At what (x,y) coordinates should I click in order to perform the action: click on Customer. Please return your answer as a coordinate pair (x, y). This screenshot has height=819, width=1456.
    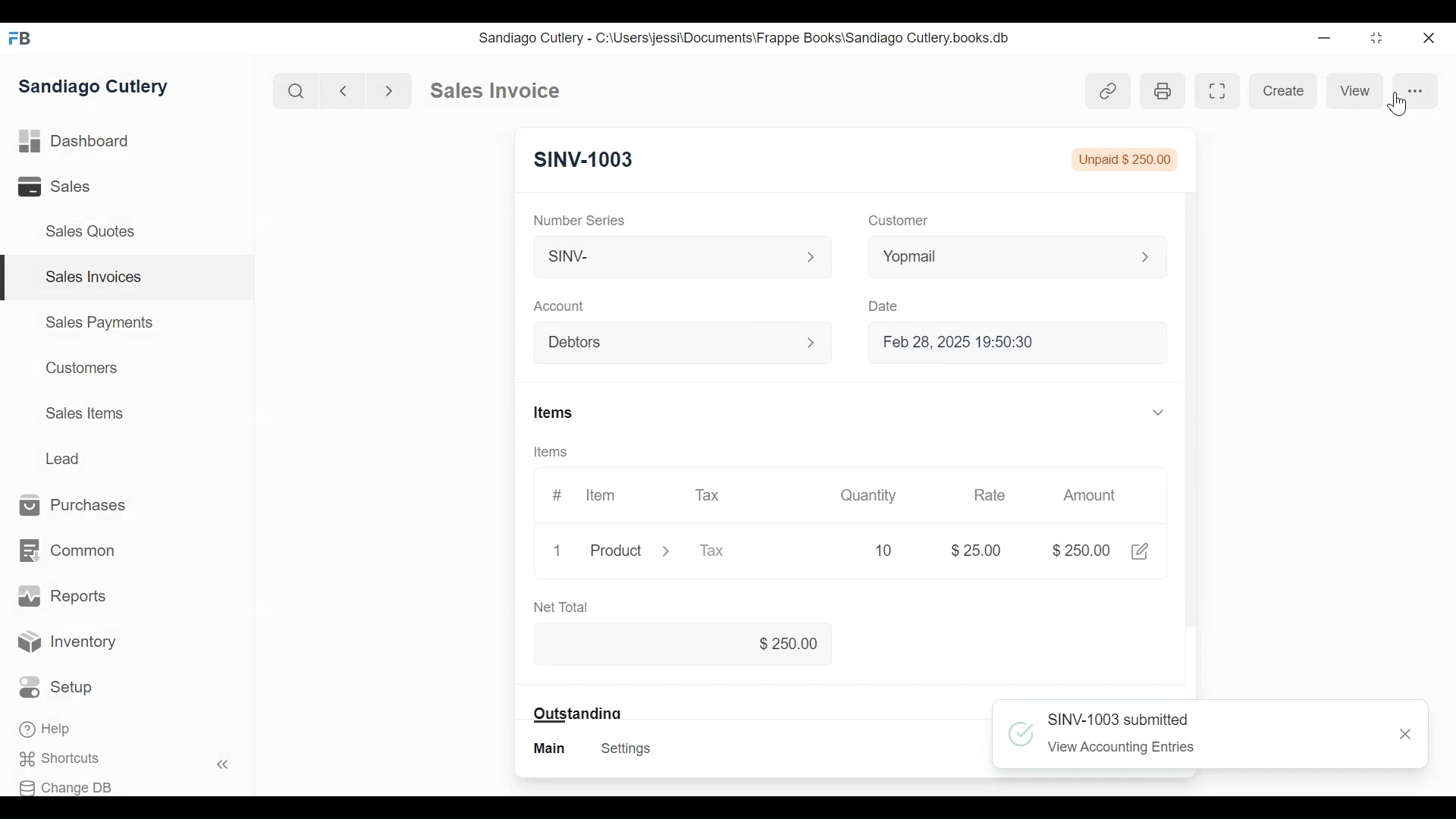
    Looking at the image, I should click on (896, 221).